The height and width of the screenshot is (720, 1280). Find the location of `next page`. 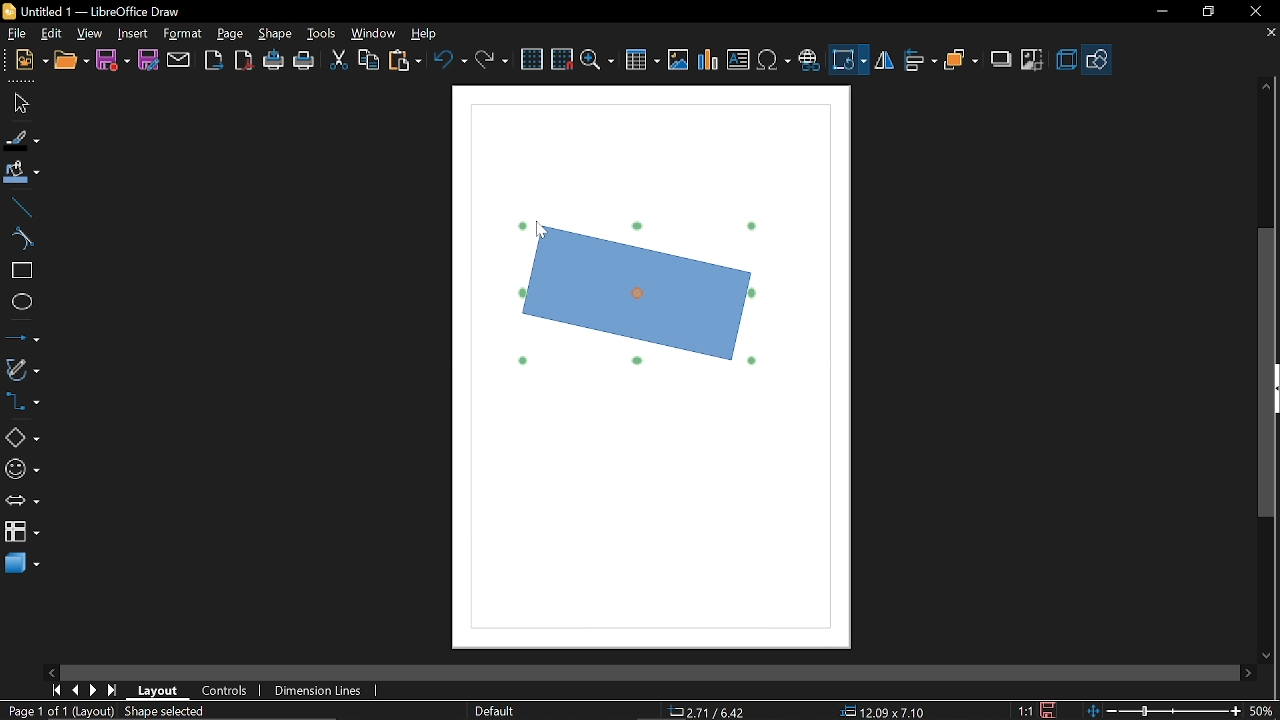

next page is located at coordinates (94, 691).